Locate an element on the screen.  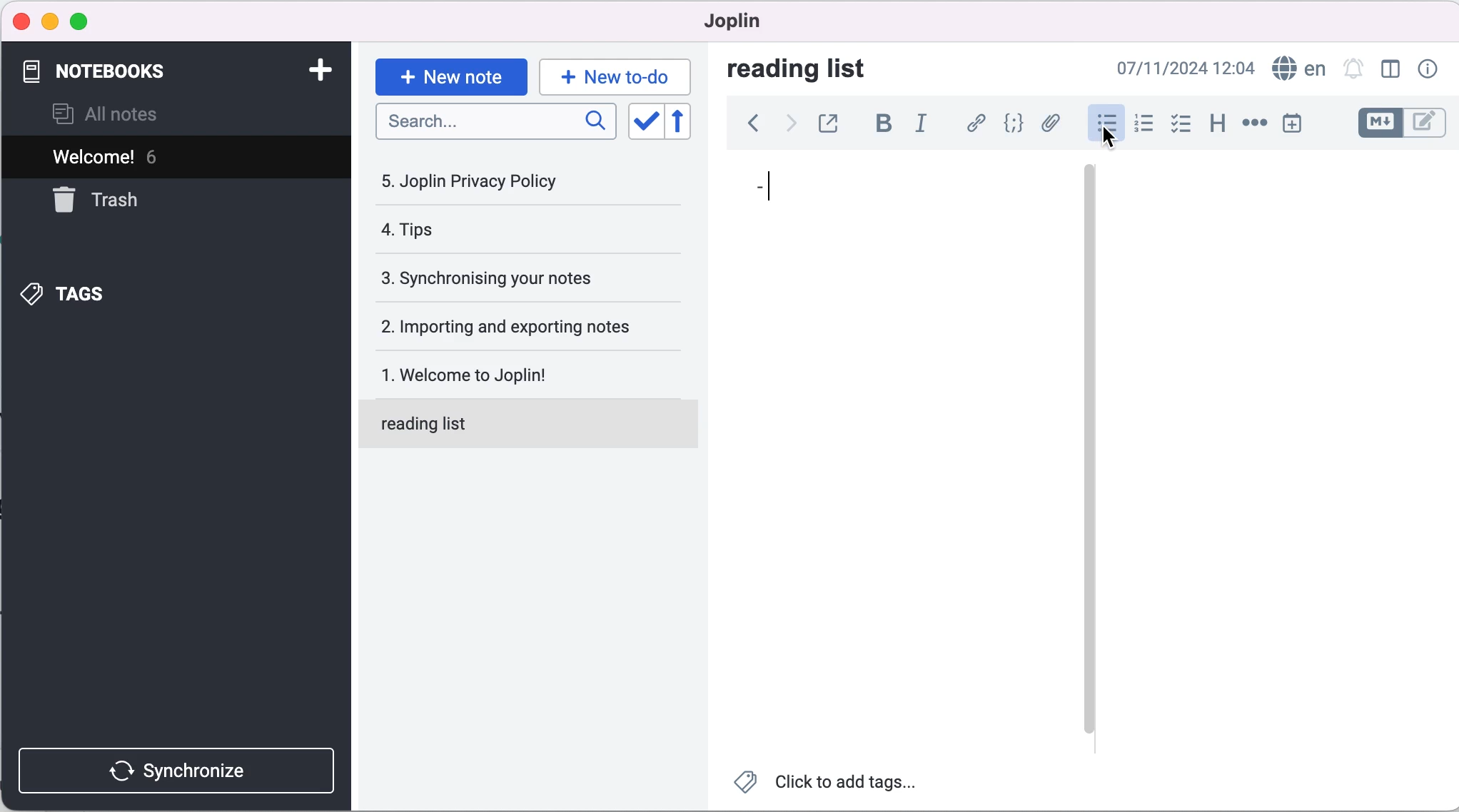
attach file is located at coordinates (1052, 125).